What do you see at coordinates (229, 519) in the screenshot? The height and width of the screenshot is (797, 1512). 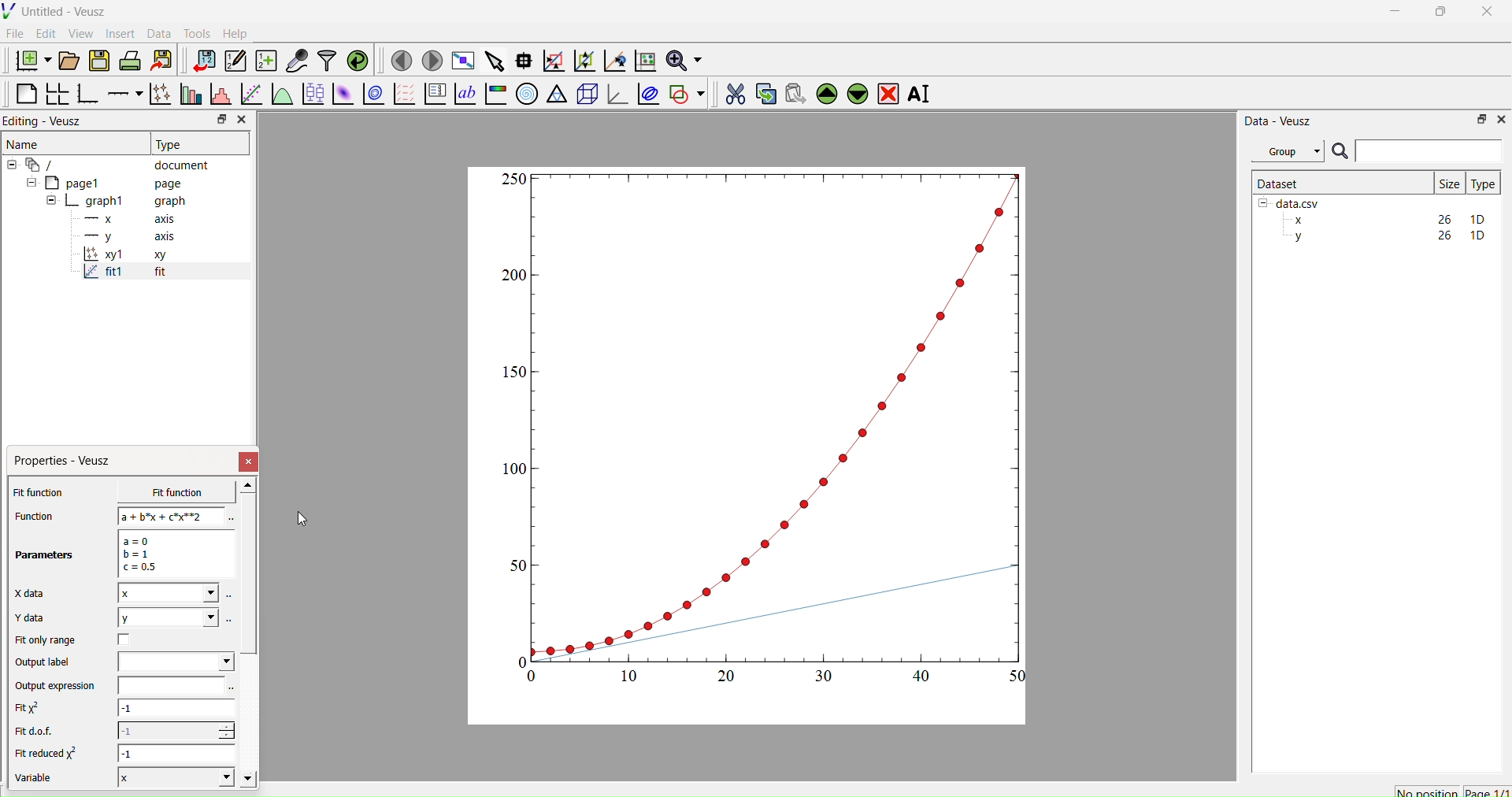 I see `Select using dataset browser` at bounding box center [229, 519].